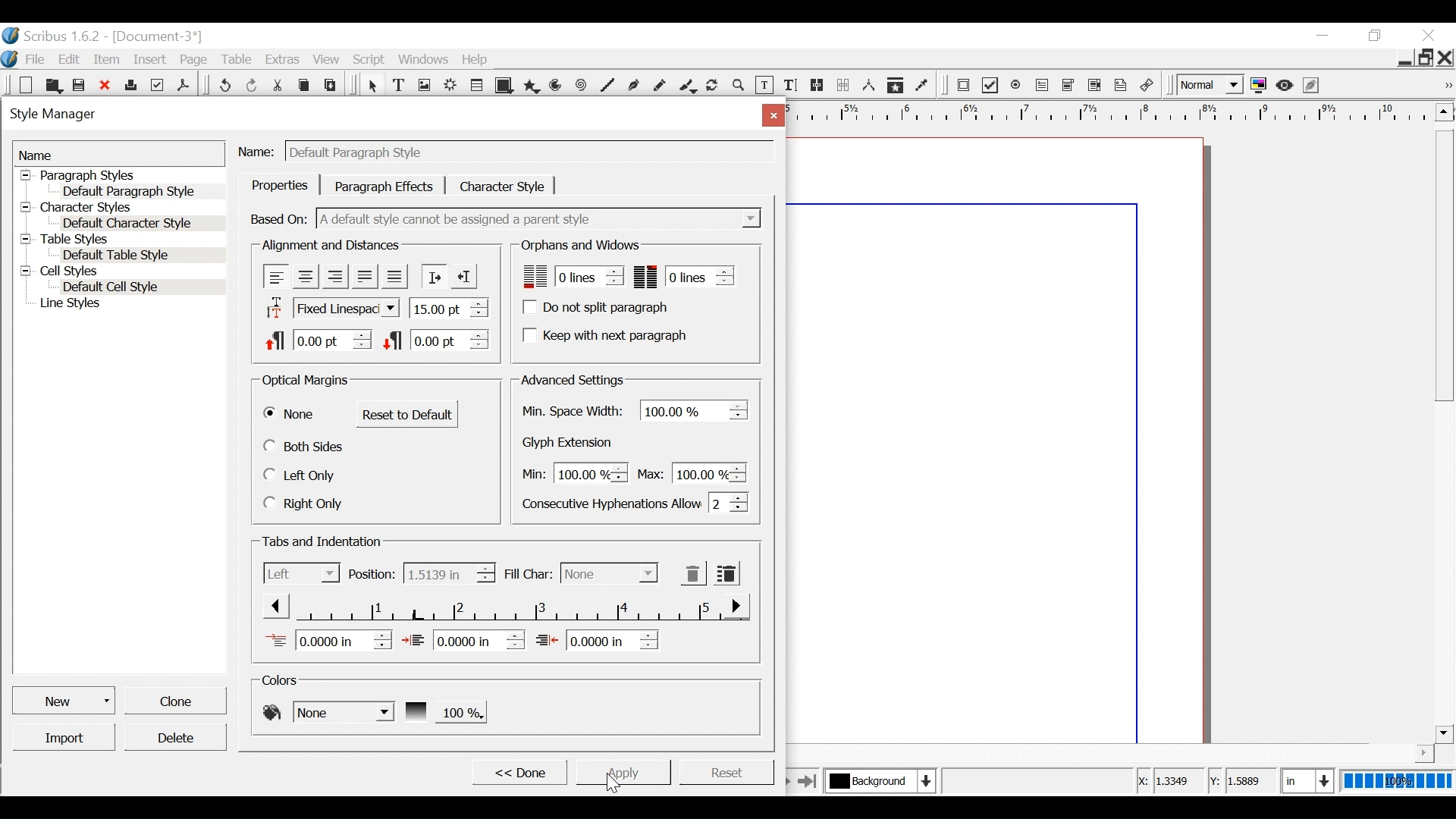  Describe the element at coordinates (963, 84) in the screenshot. I see `PDF Push Button` at that location.